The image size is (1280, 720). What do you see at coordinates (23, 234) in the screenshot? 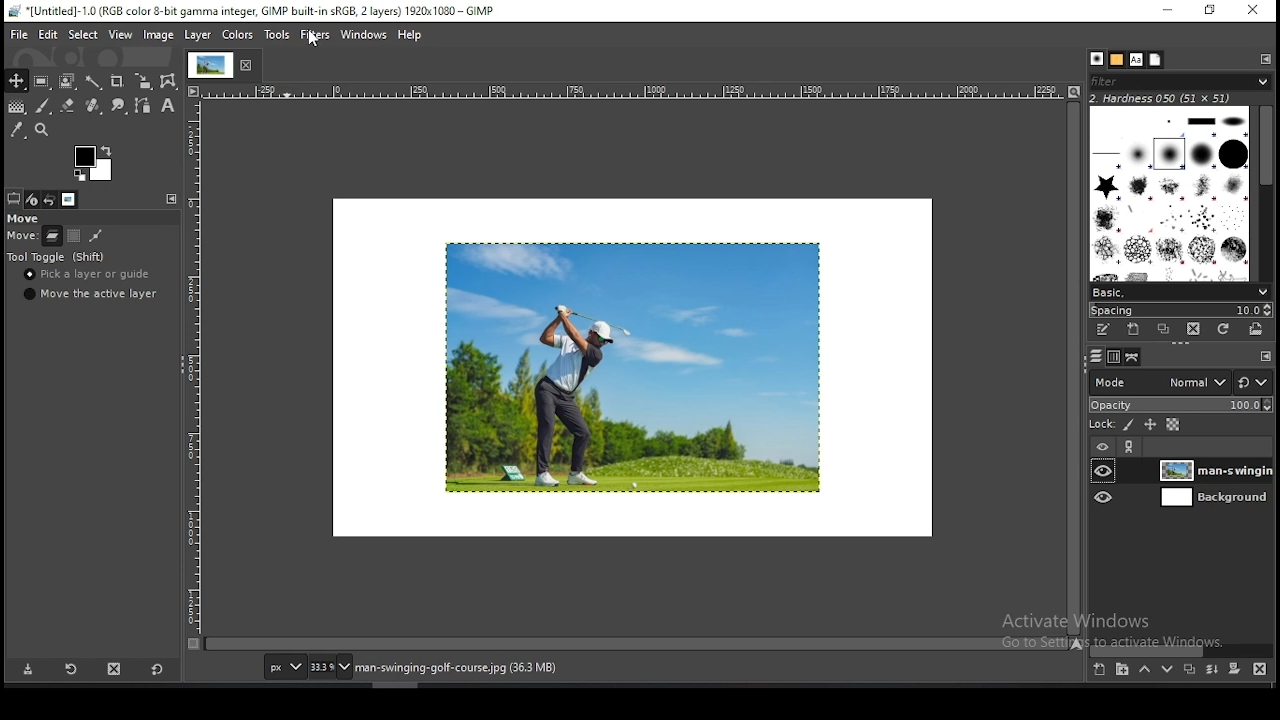
I see `scale (horizontal)` at bounding box center [23, 234].